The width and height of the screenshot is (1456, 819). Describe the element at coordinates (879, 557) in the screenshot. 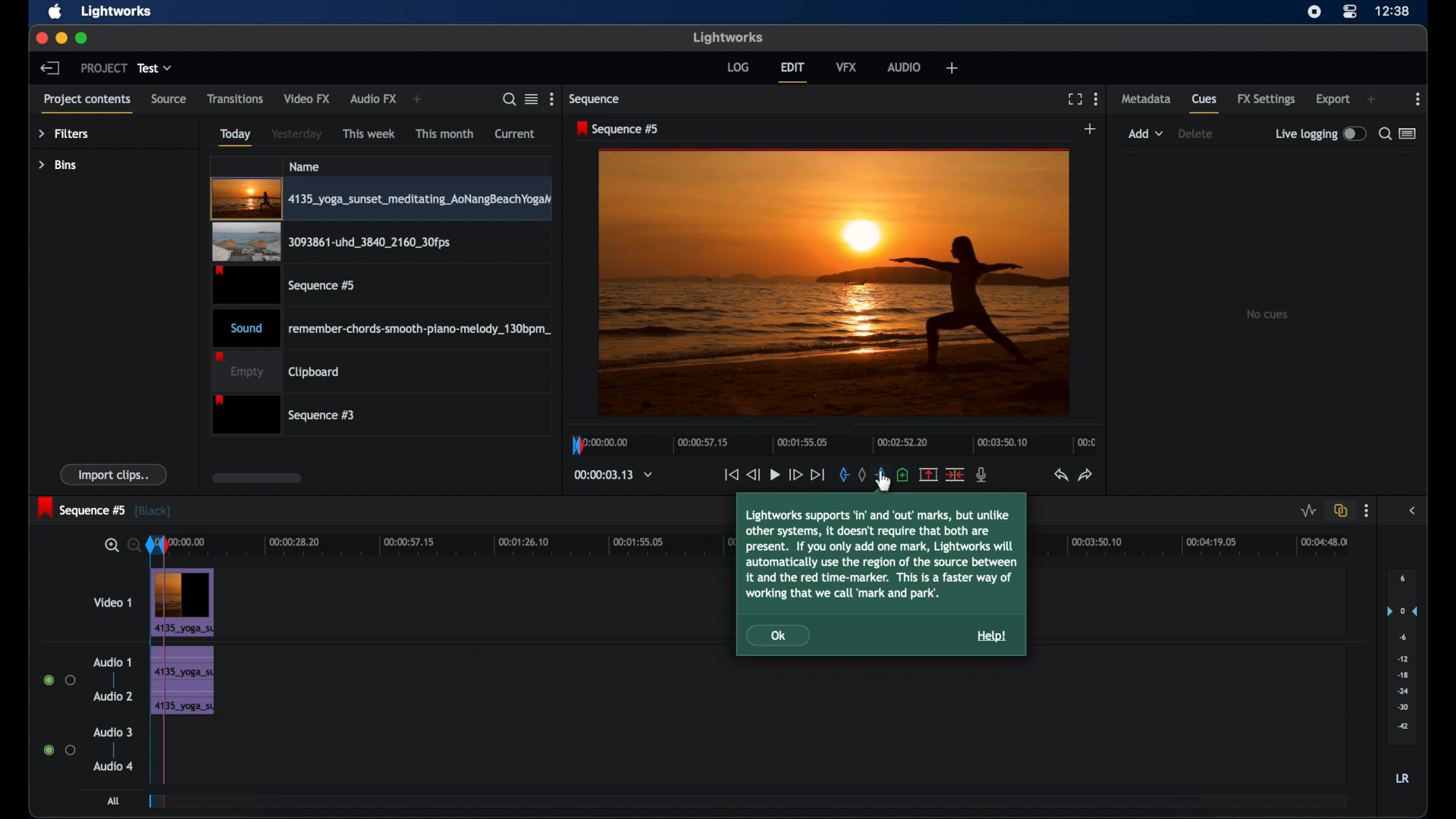

I see `Lightworks supports ‘in’ and ‘out’ marks, but unlikeother systems, it doesn't require that both arepresent. If you only add one mark, Lightworks willautomatically use the region of the source betweenit and the red time-marker. This is a faster way ofworking that we call ‘mark and park tooltip` at that location.